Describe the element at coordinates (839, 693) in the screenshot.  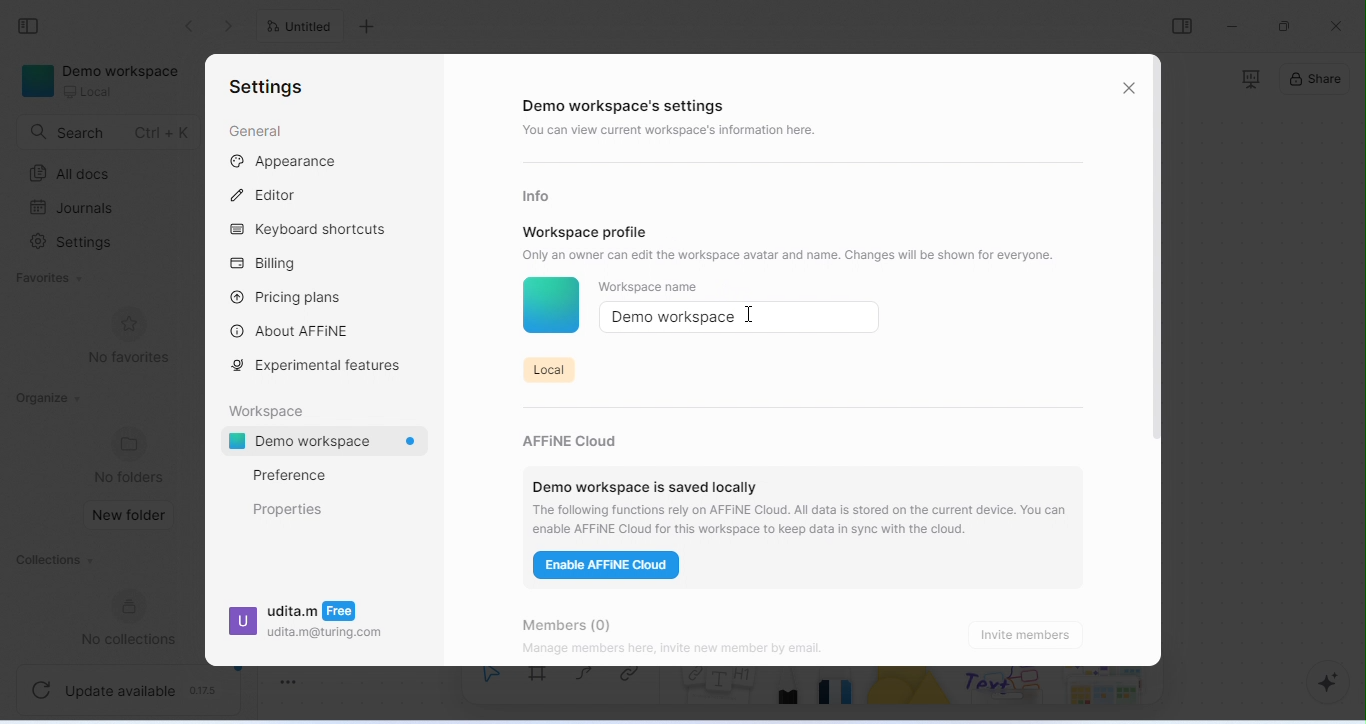
I see `eraser` at that location.